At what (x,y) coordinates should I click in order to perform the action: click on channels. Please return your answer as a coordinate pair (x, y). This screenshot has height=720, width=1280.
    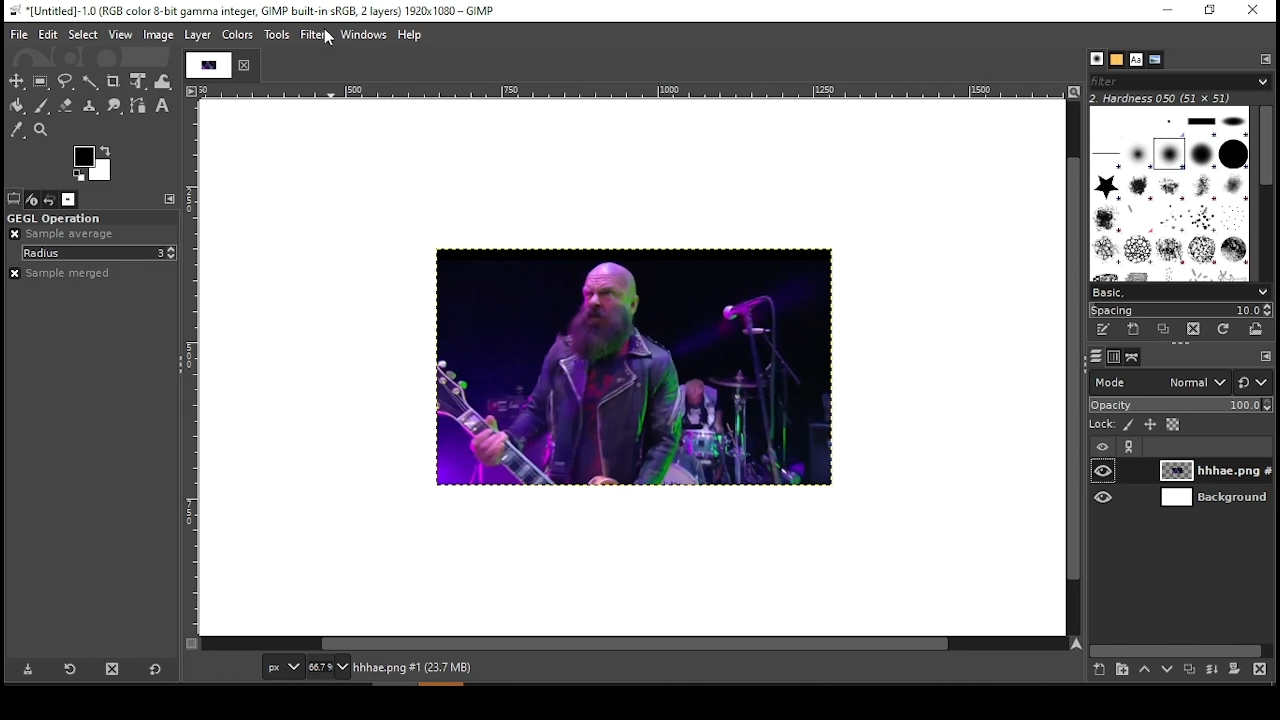
    Looking at the image, I should click on (1111, 357).